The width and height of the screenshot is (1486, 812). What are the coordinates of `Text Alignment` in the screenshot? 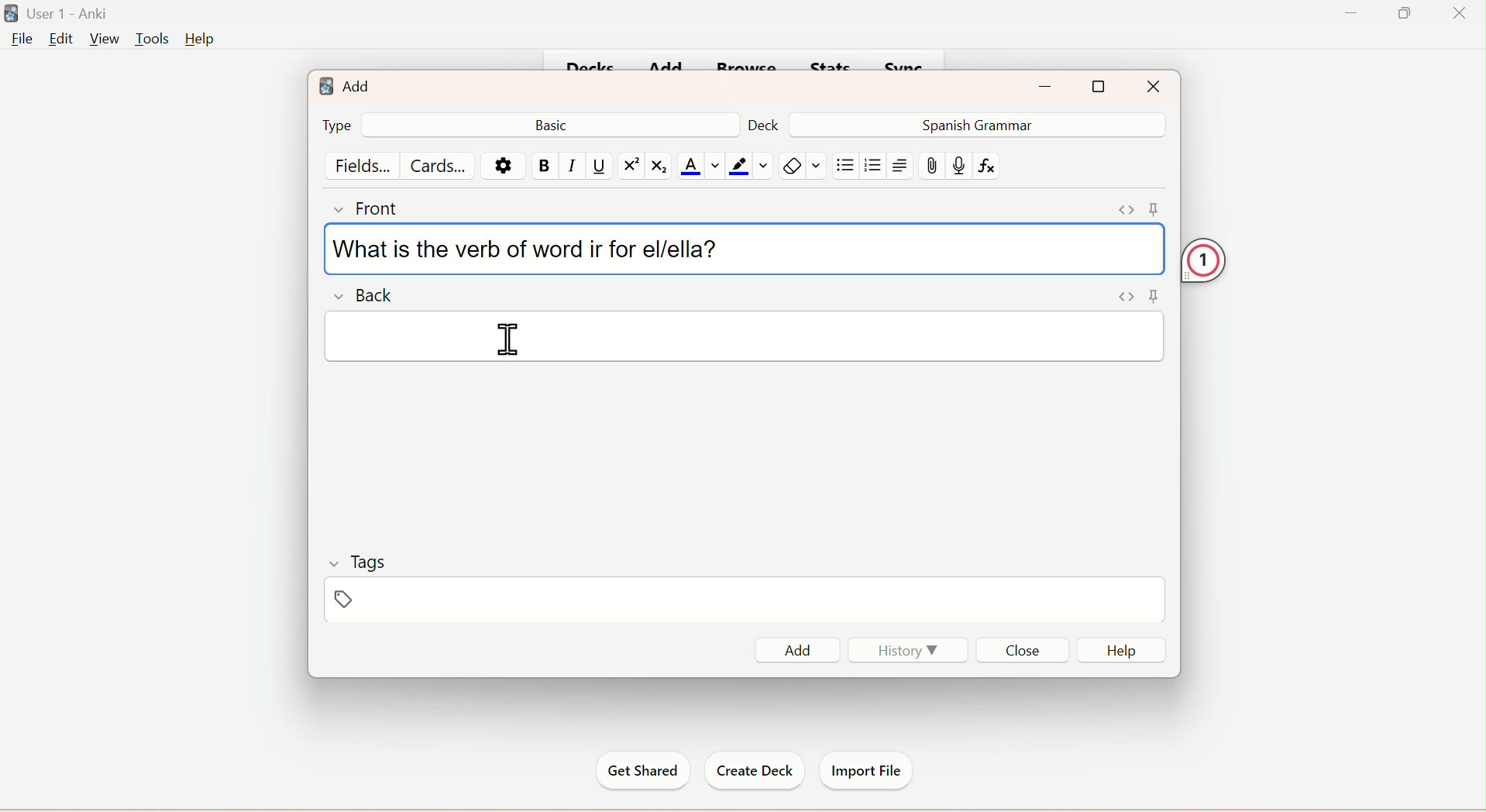 It's located at (900, 166).